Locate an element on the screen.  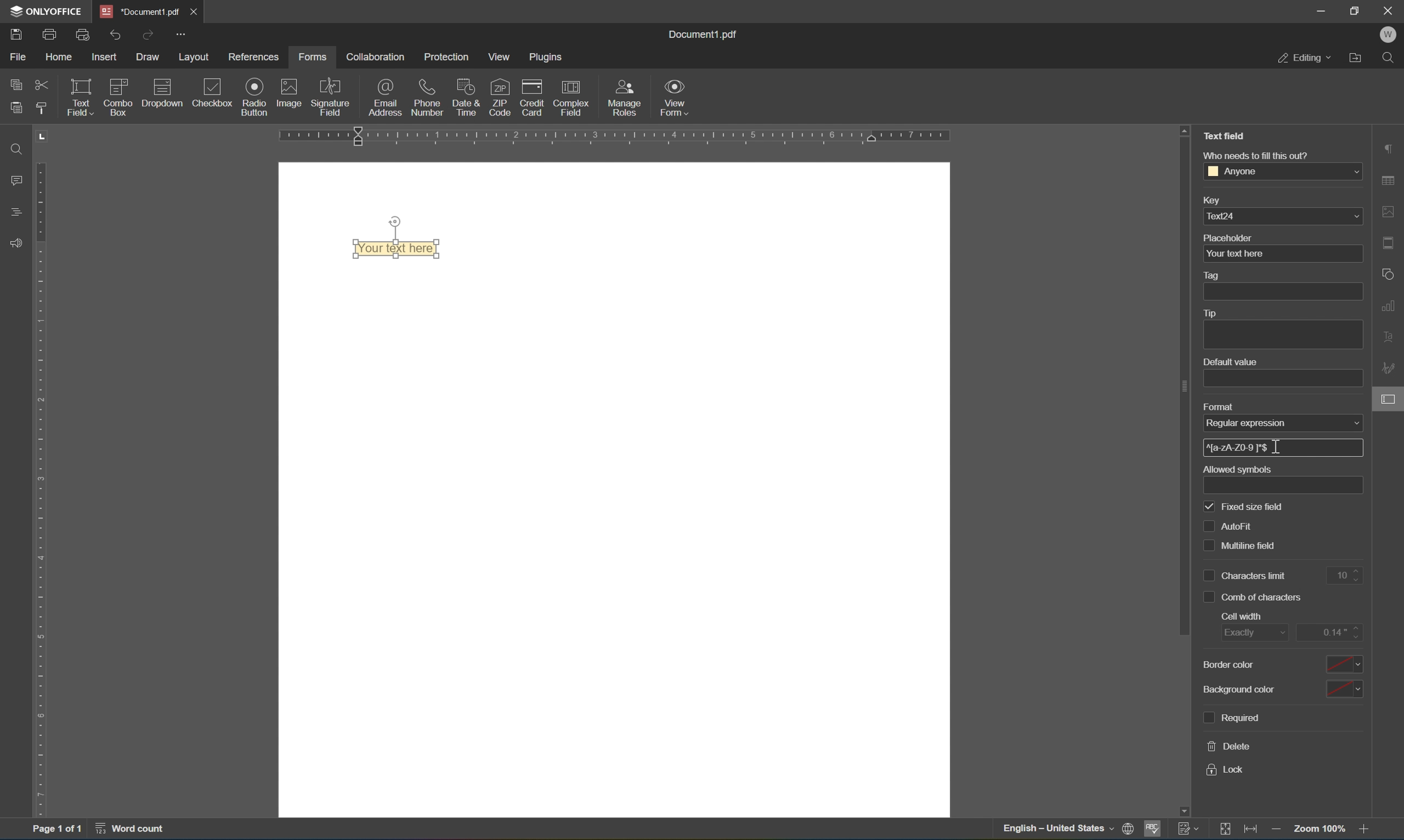
complex field is located at coordinates (570, 98).